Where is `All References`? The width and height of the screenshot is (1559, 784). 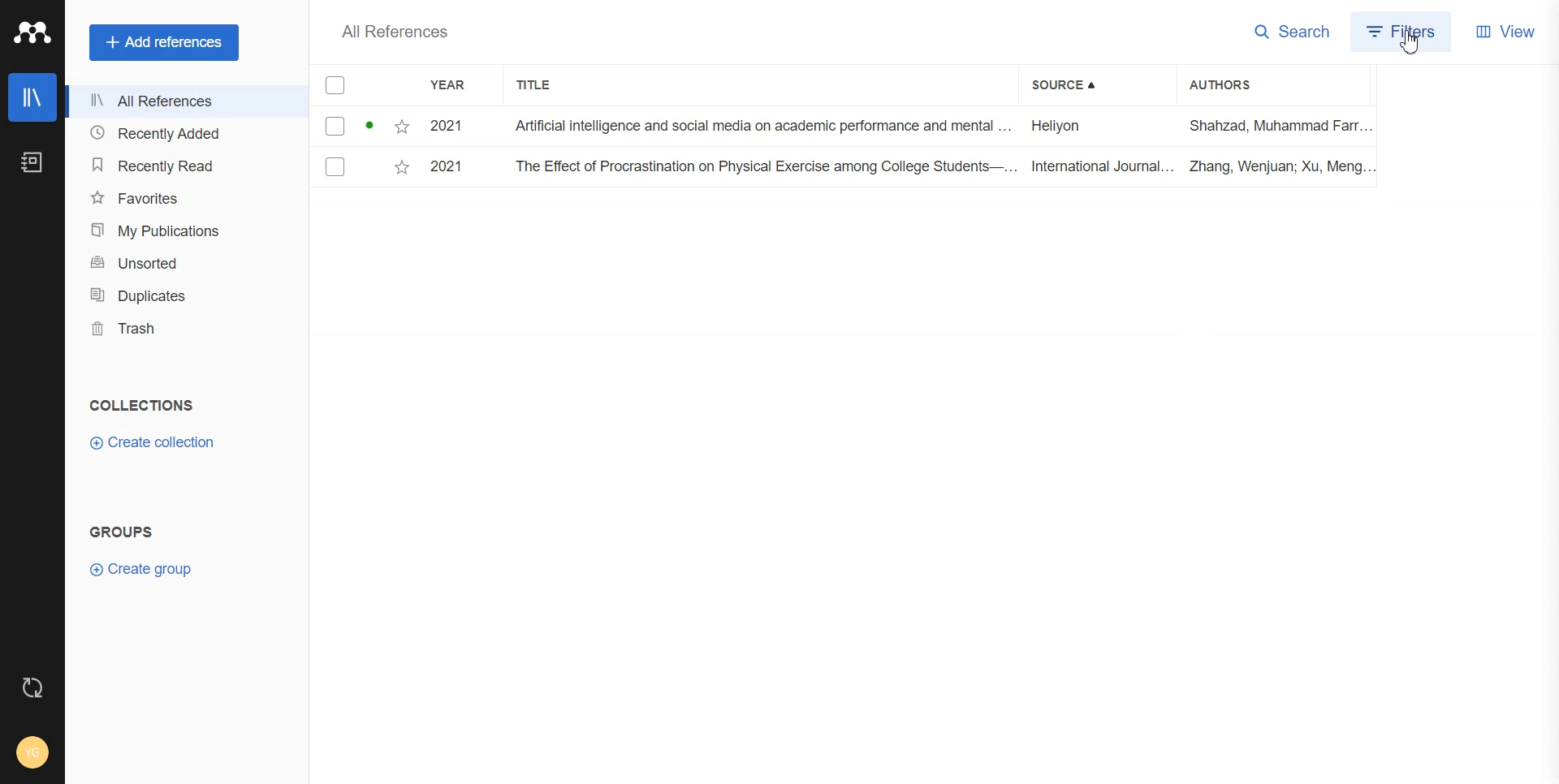 All References is located at coordinates (174, 101).